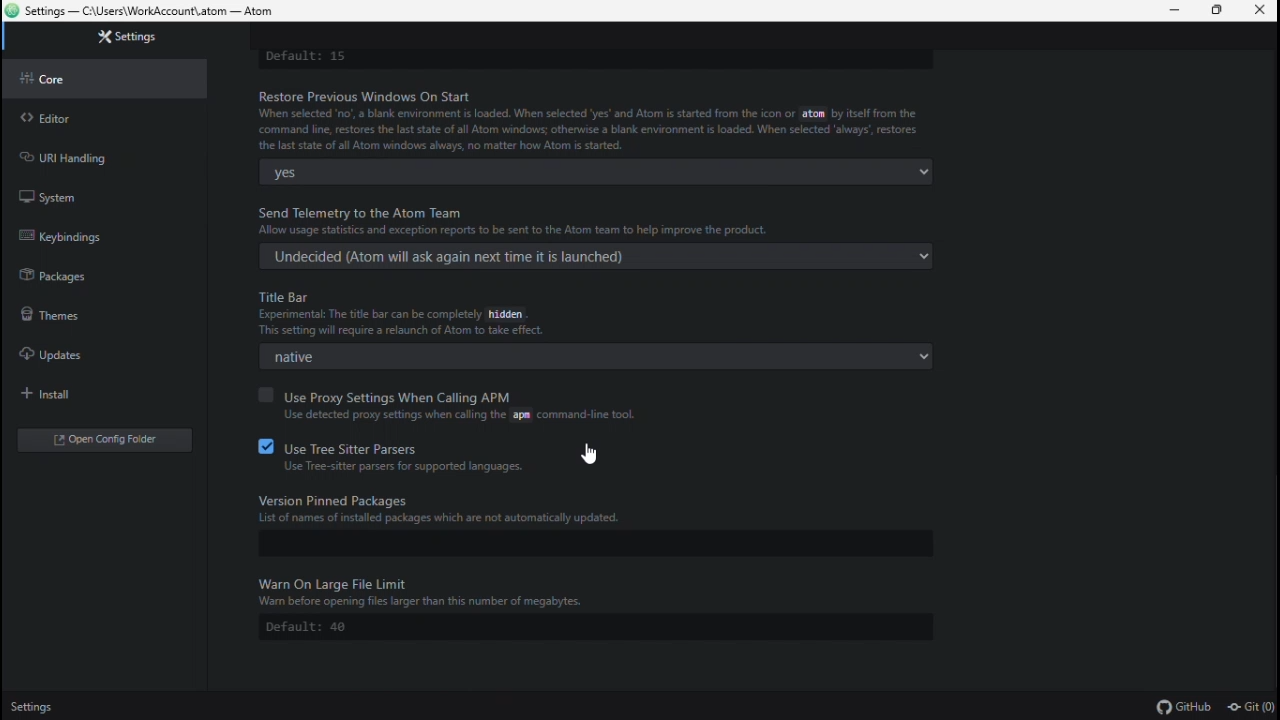 Image resolution: width=1280 pixels, height=720 pixels. Describe the element at coordinates (1219, 12) in the screenshot. I see `Restore` at that location.